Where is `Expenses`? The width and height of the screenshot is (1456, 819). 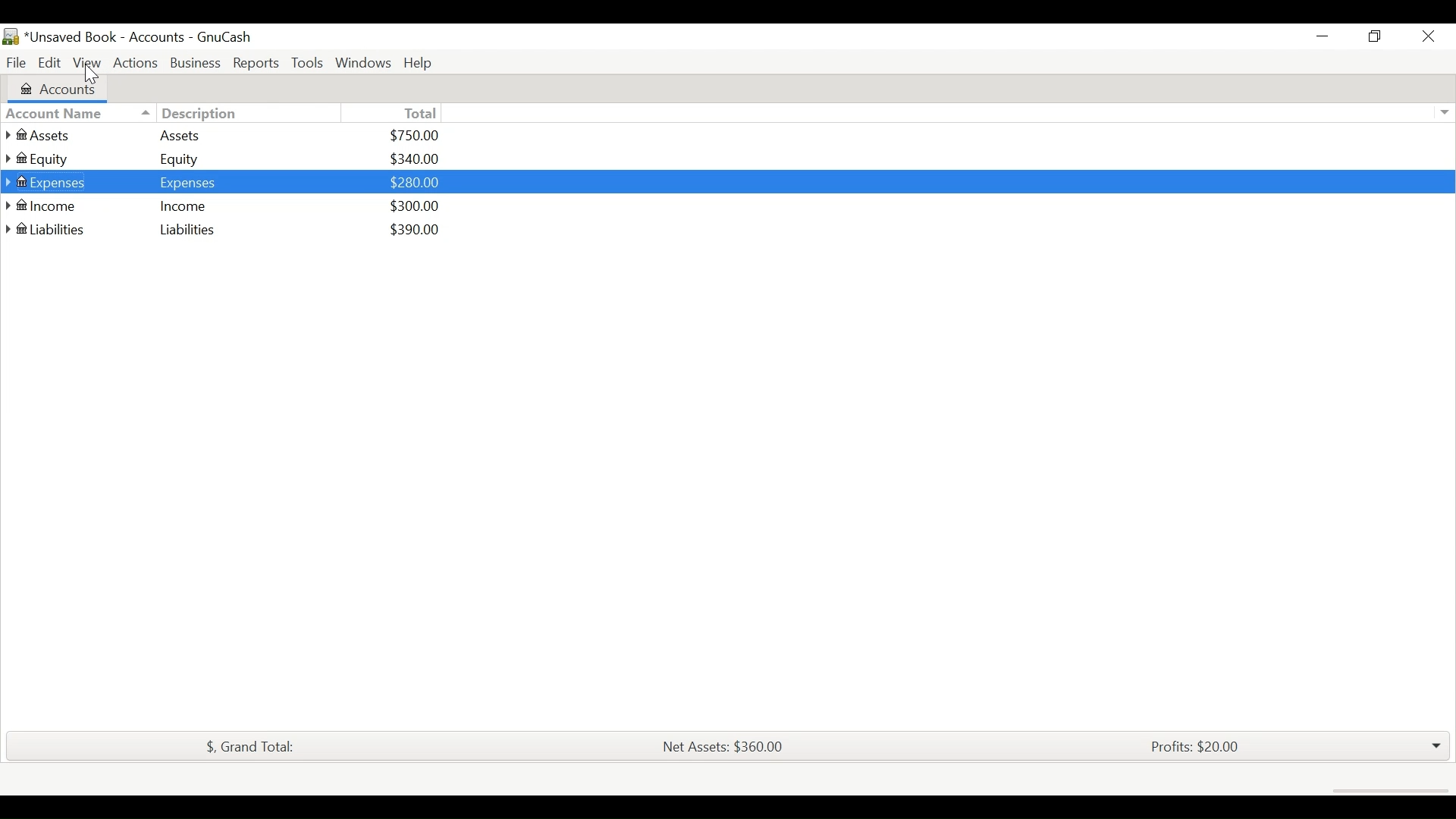 Expenses is located at coordinates (58, 182).